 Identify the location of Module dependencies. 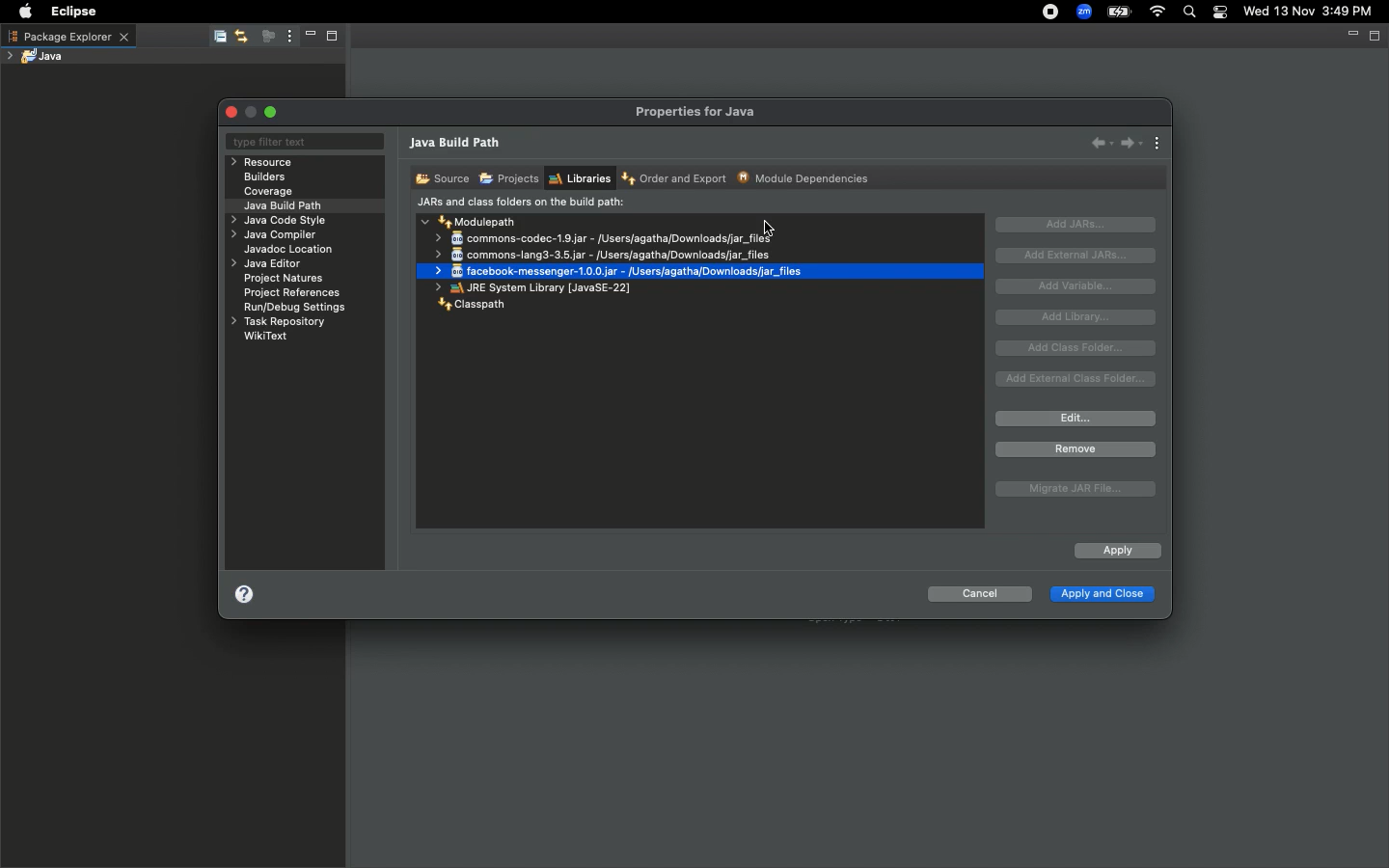
(804, 177).